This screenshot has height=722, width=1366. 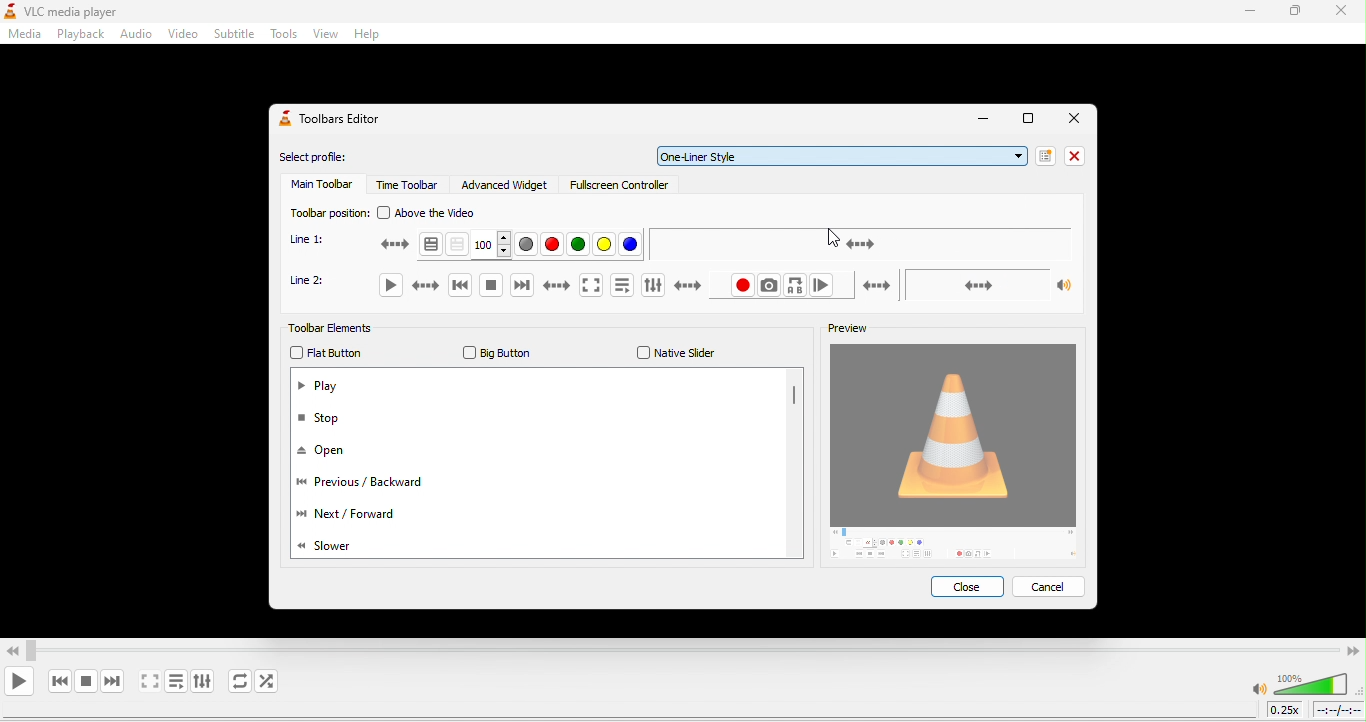 I want to click on open, so click(x=324, y=453).